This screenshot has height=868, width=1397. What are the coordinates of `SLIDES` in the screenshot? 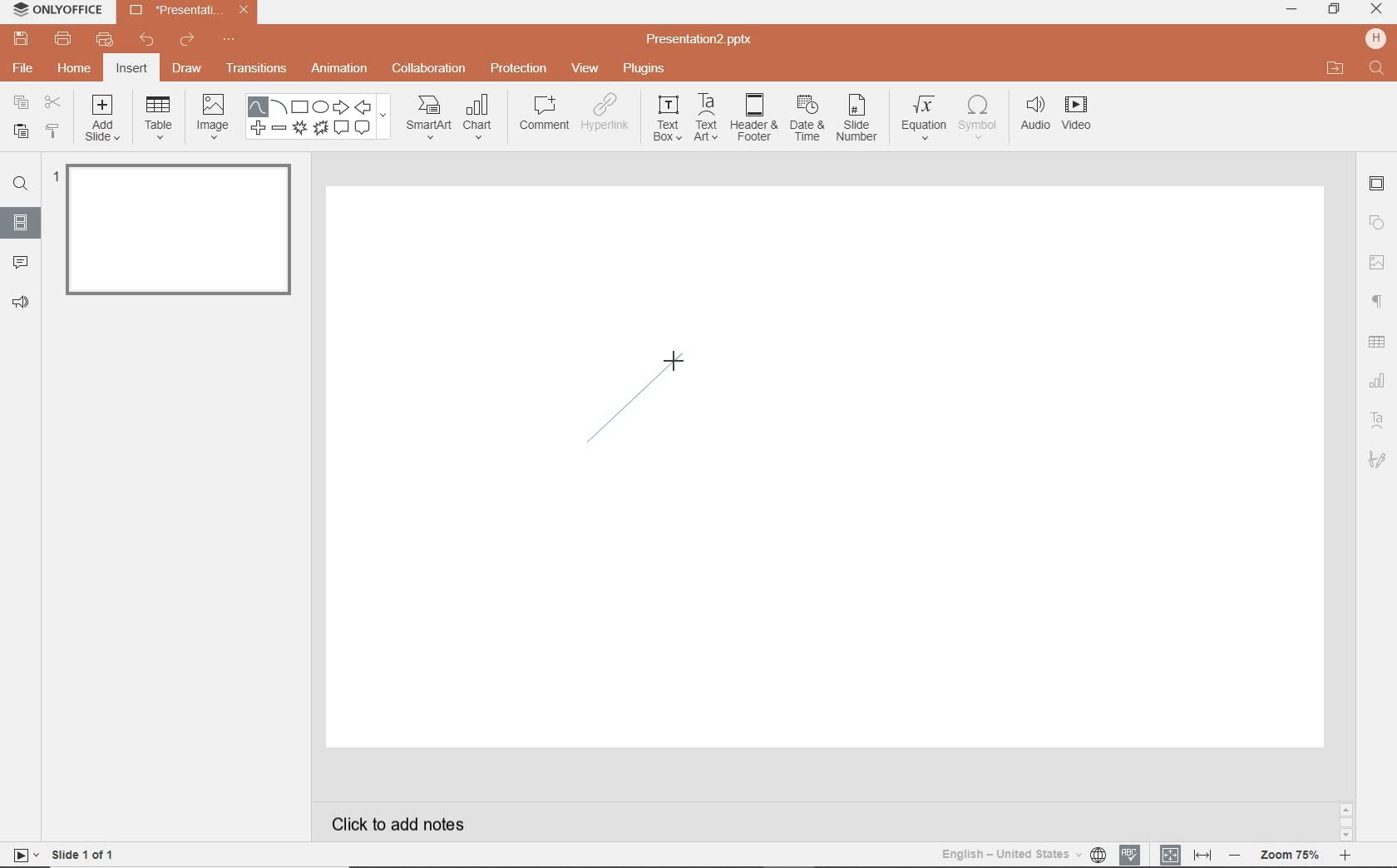 It's located at (20, 222).